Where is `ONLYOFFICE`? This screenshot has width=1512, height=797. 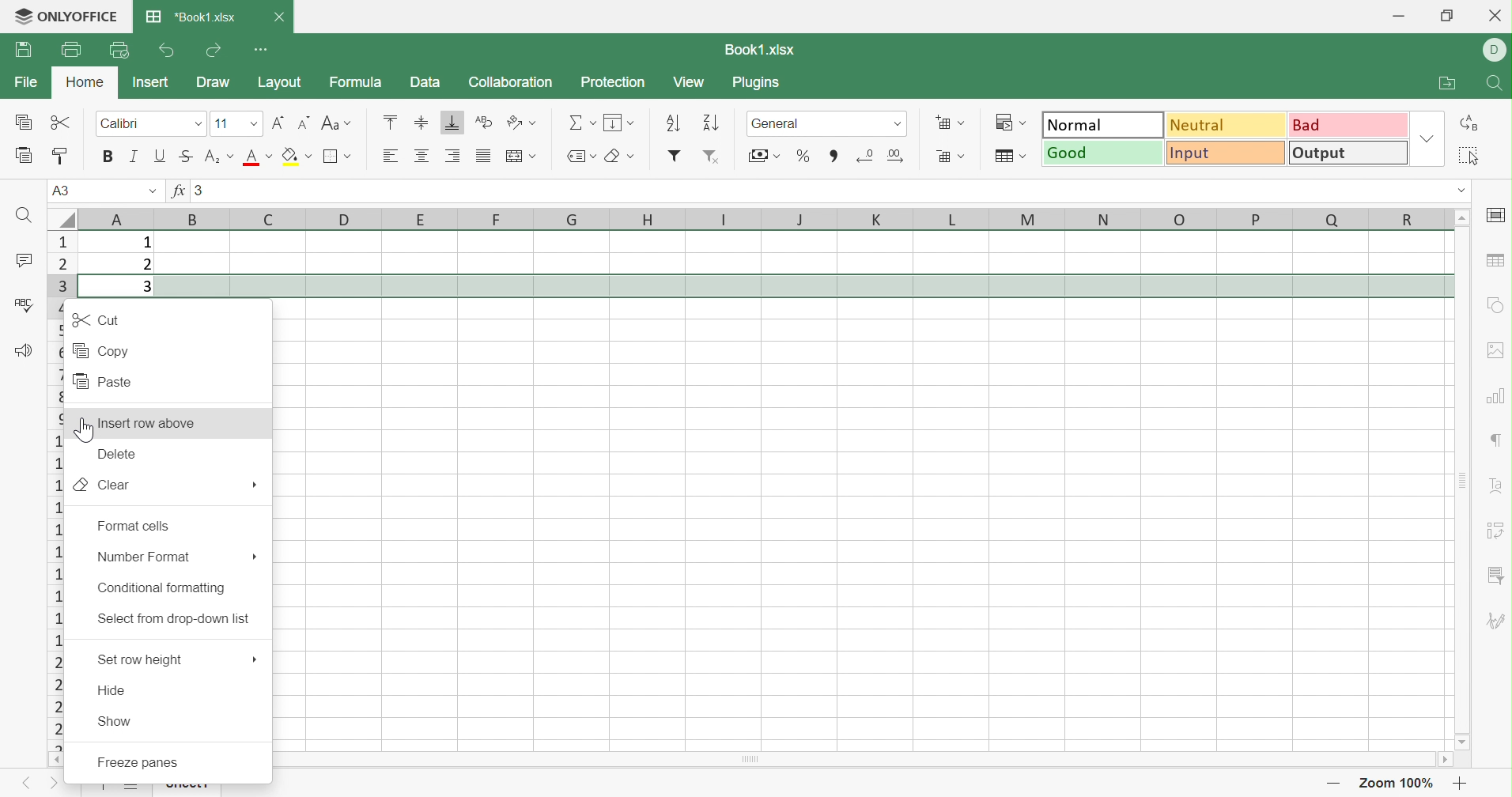
ONLYOFFICE is located at coordinates (64, 14).